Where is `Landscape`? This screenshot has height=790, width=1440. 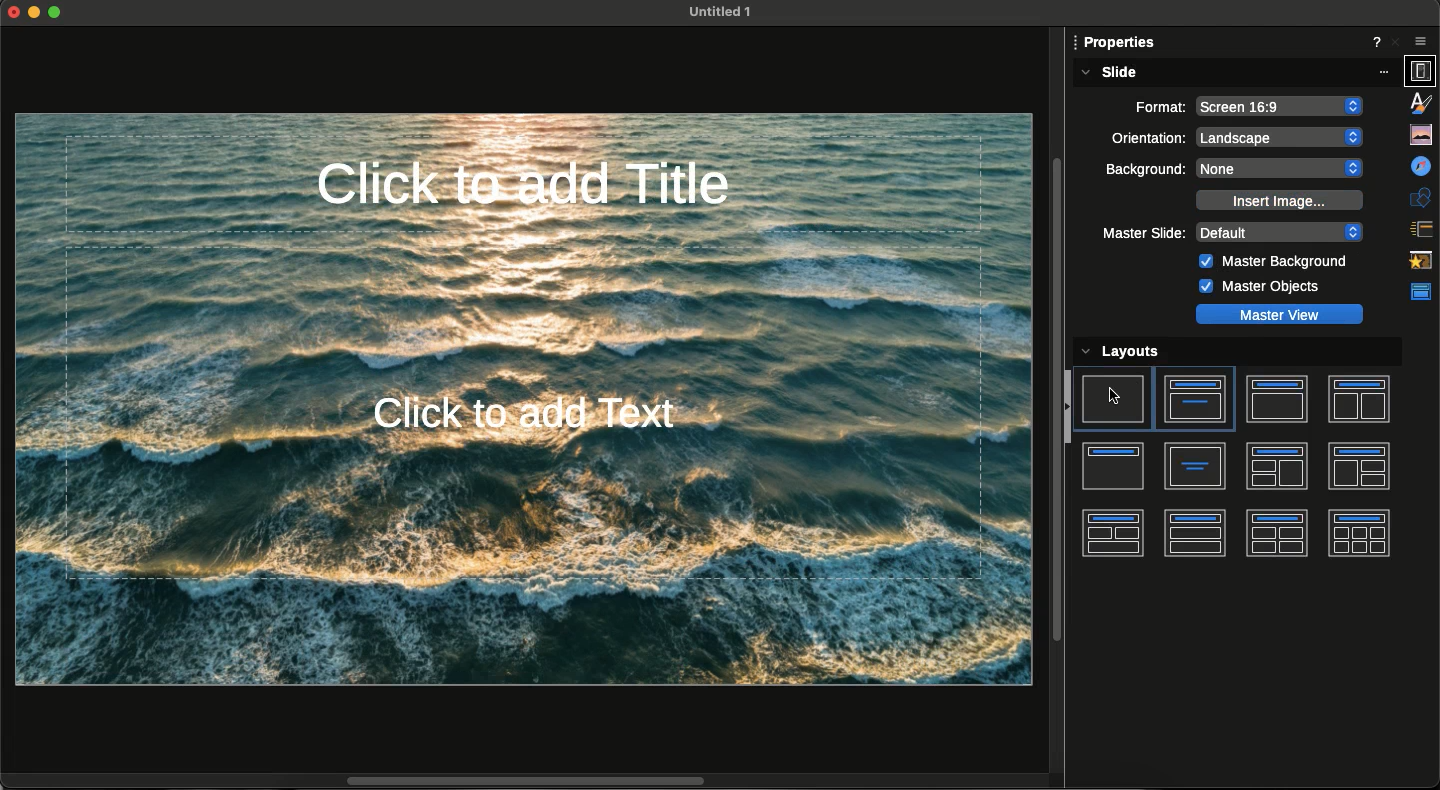 Landscape is located at coordinates (1282, 137).